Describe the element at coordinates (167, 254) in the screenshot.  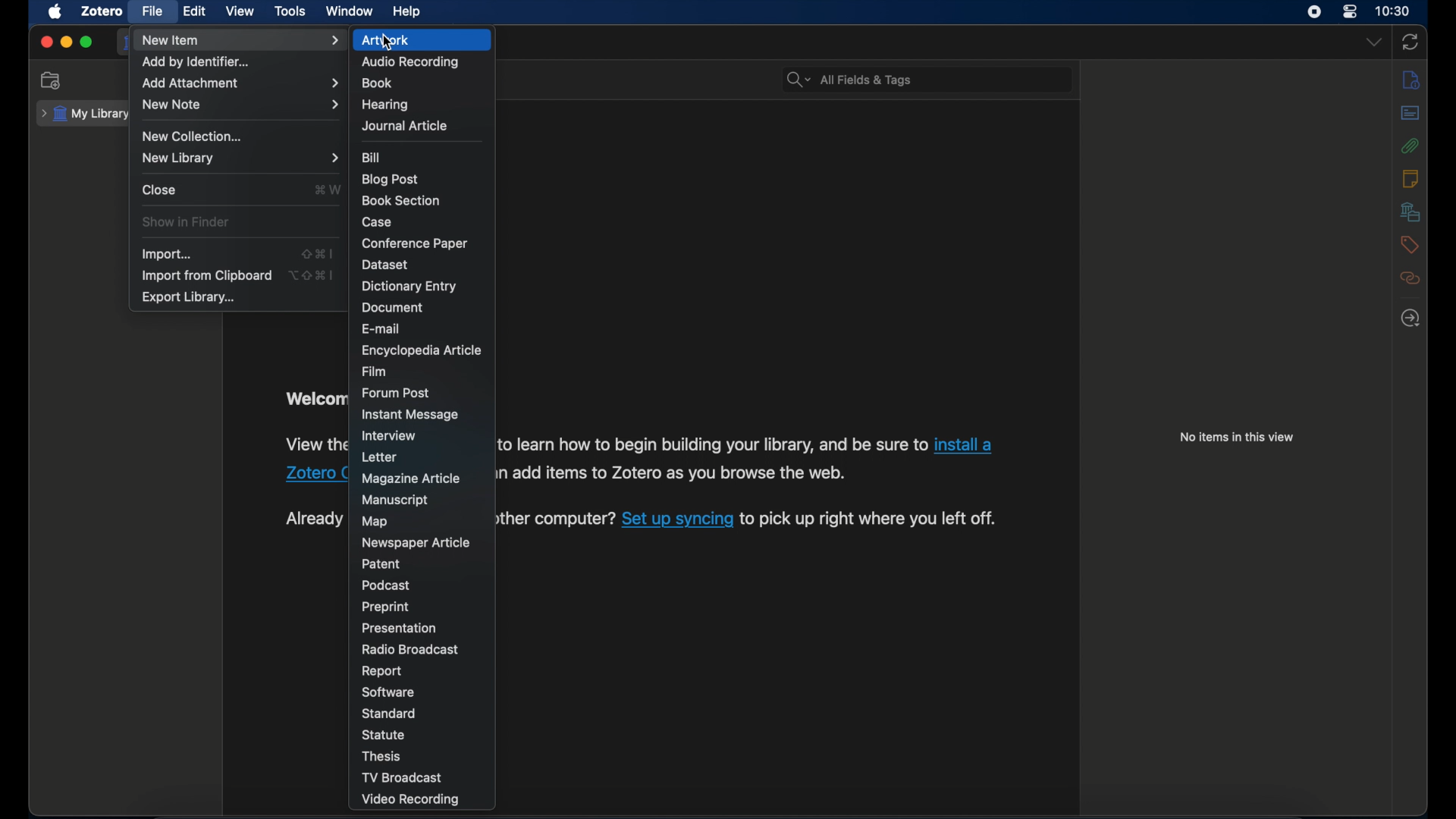
I see `import` at that location.